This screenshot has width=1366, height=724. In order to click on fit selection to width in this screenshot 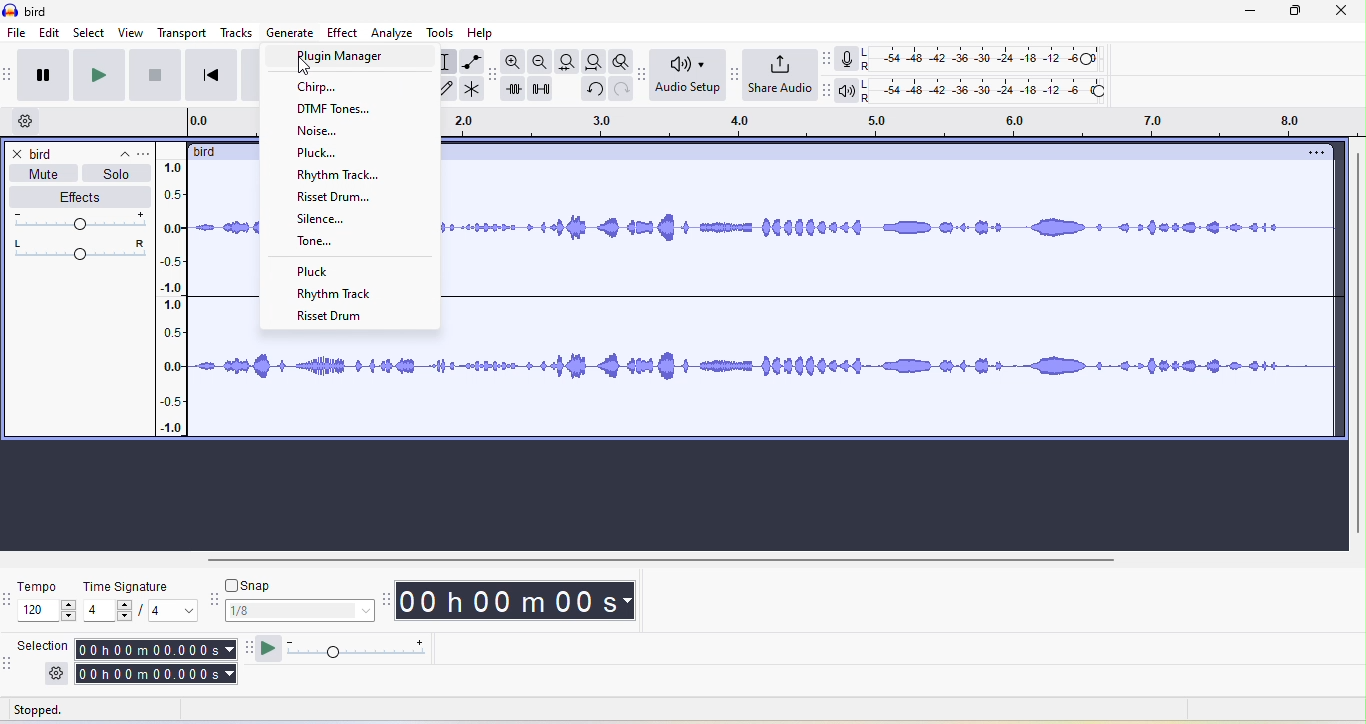, I will do `click(571, 61)`.